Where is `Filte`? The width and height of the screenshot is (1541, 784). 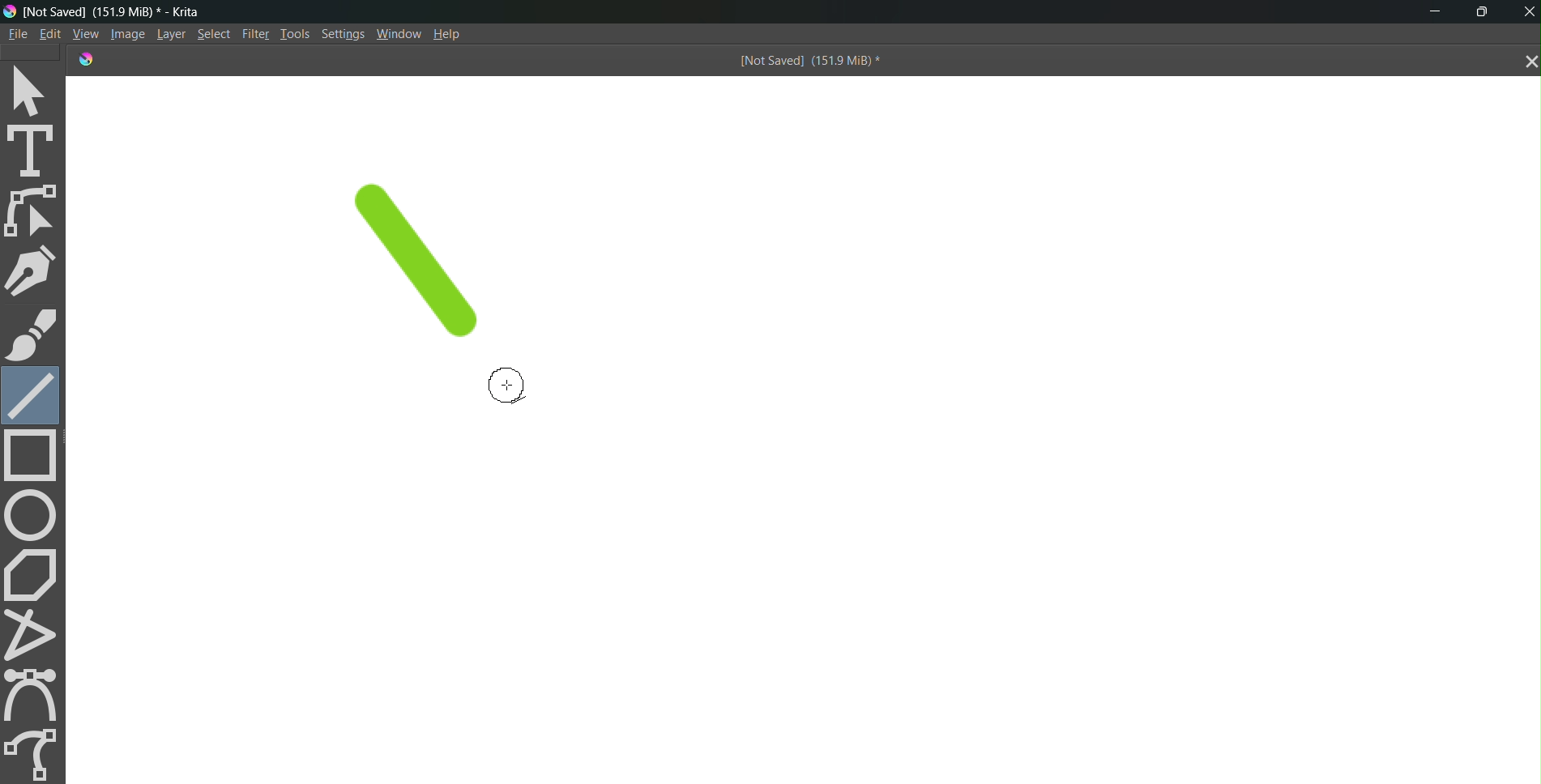
Filte is located at coordinates (252, 32).